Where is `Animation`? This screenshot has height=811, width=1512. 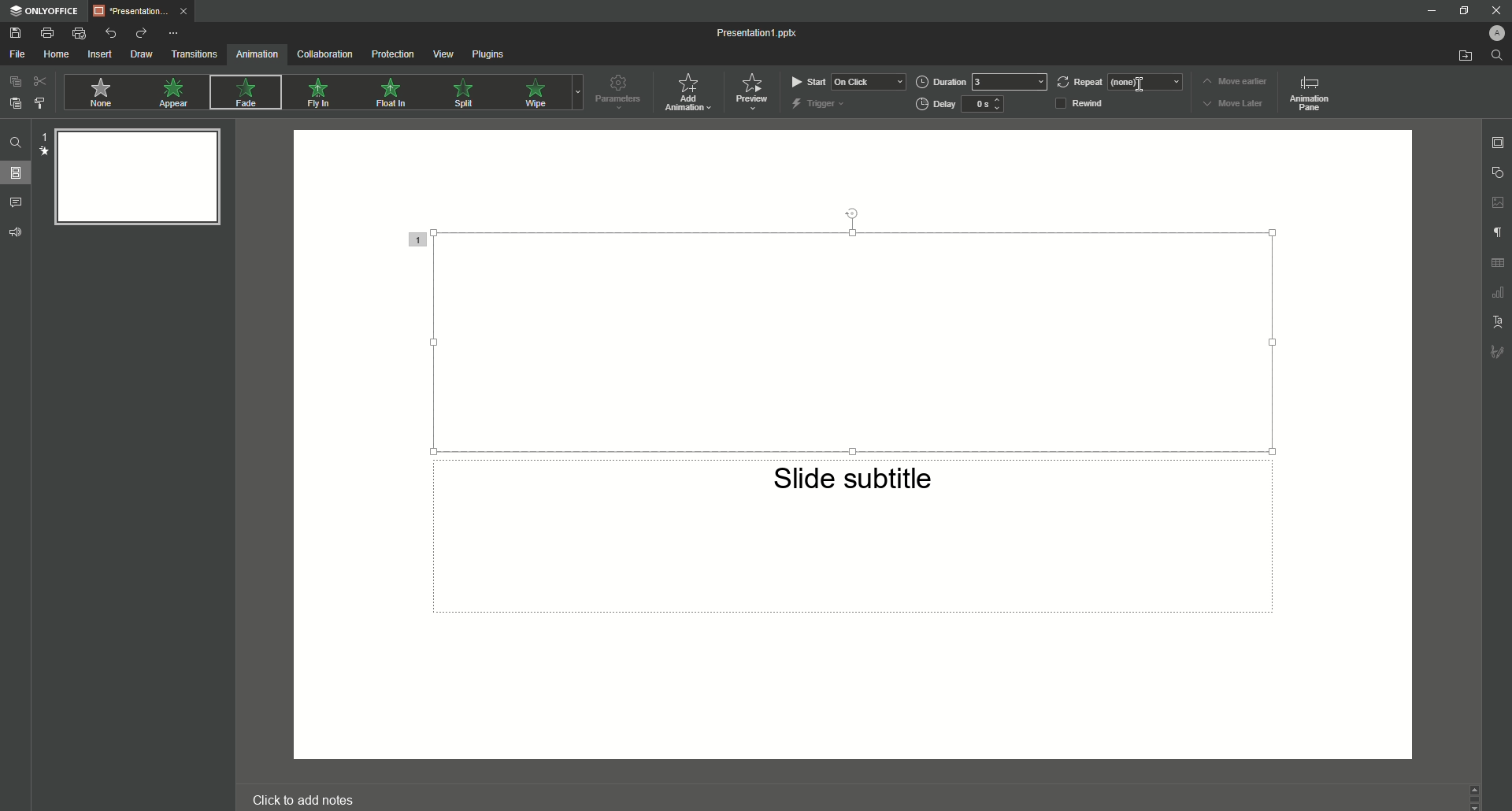
Animation is located at coordinates (258, 55).